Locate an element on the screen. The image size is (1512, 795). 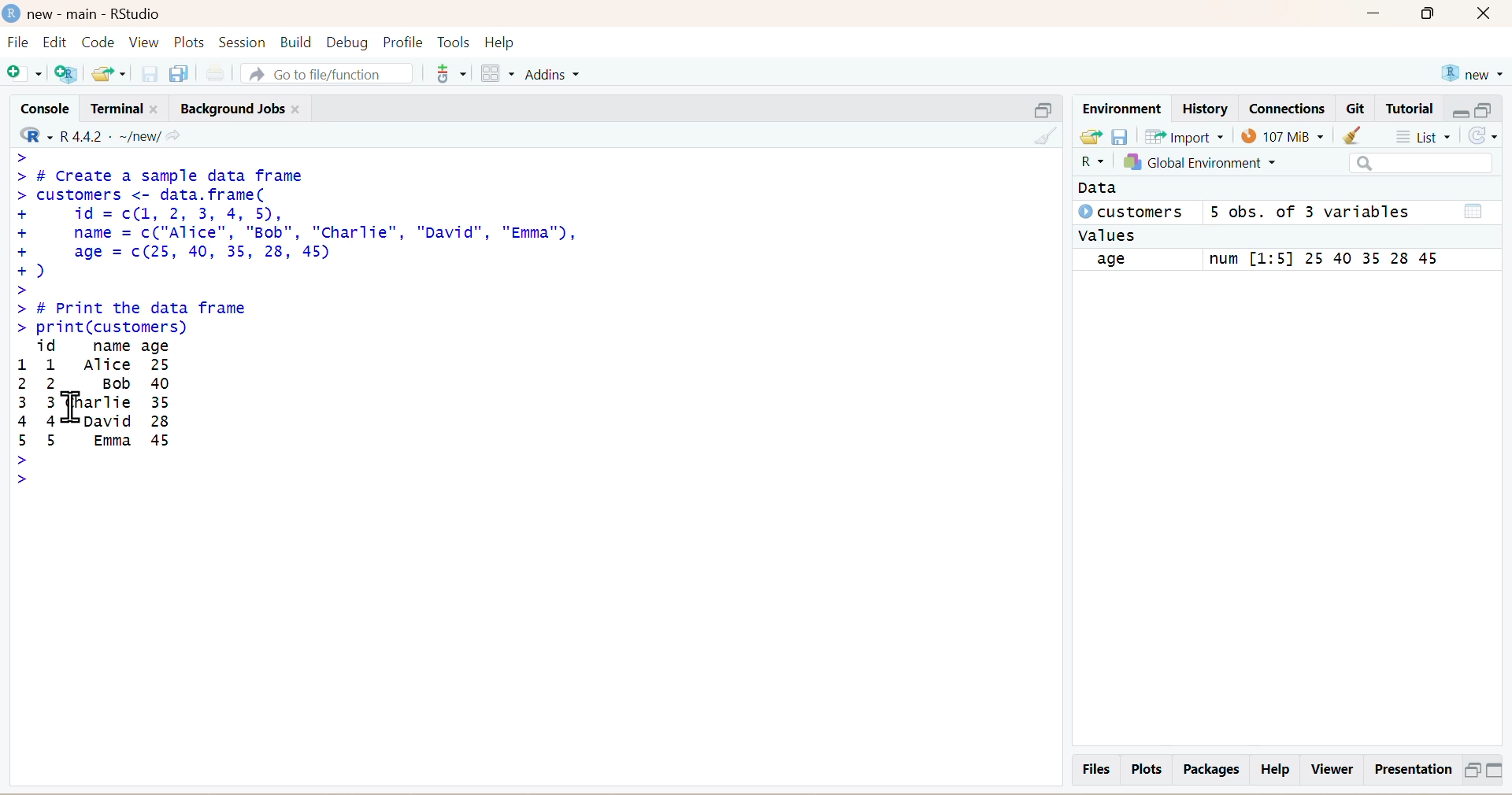
workspaces pane is located at coordinates (495, 71).